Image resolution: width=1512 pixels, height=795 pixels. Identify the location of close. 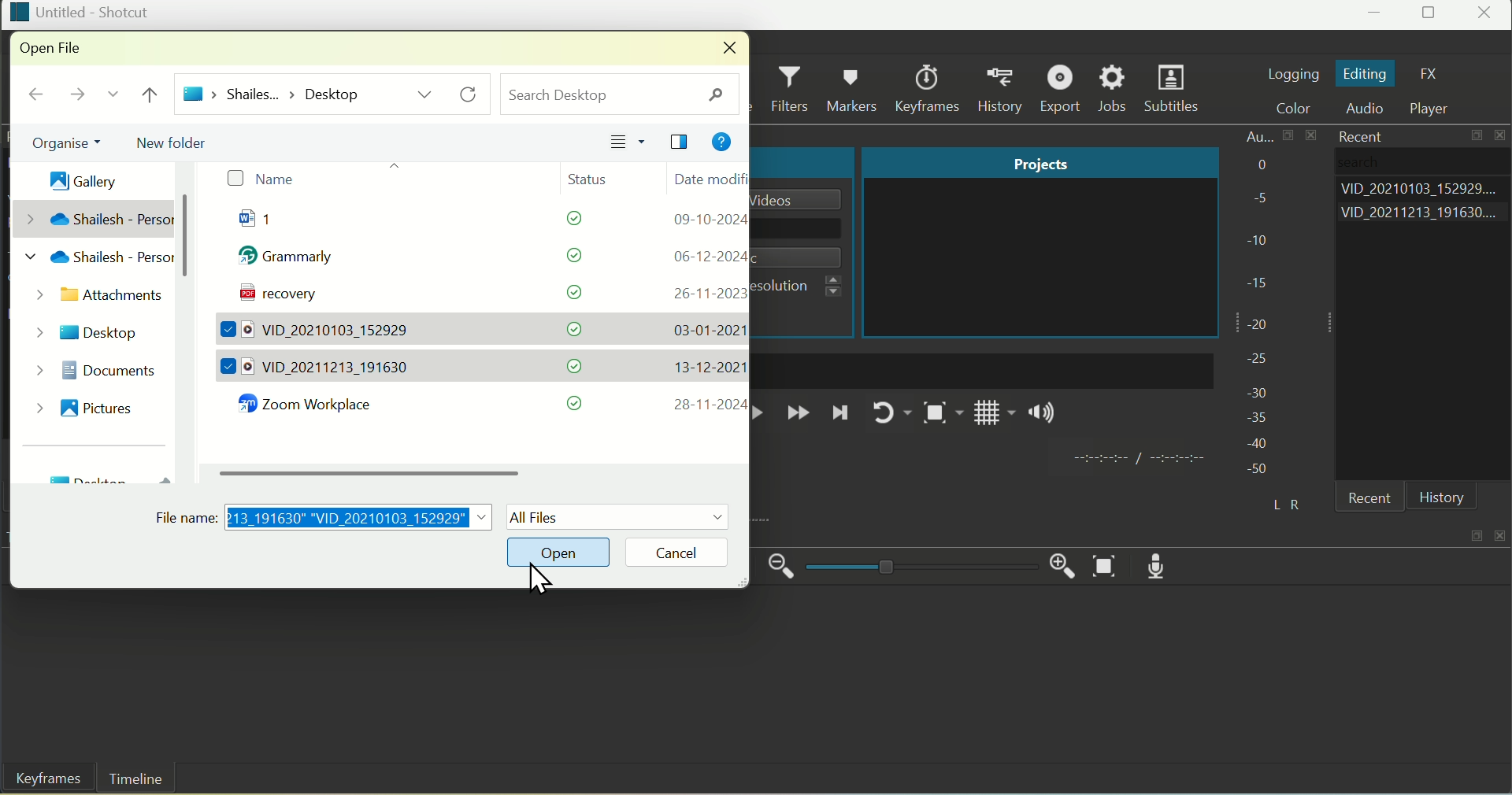
(724, 49).